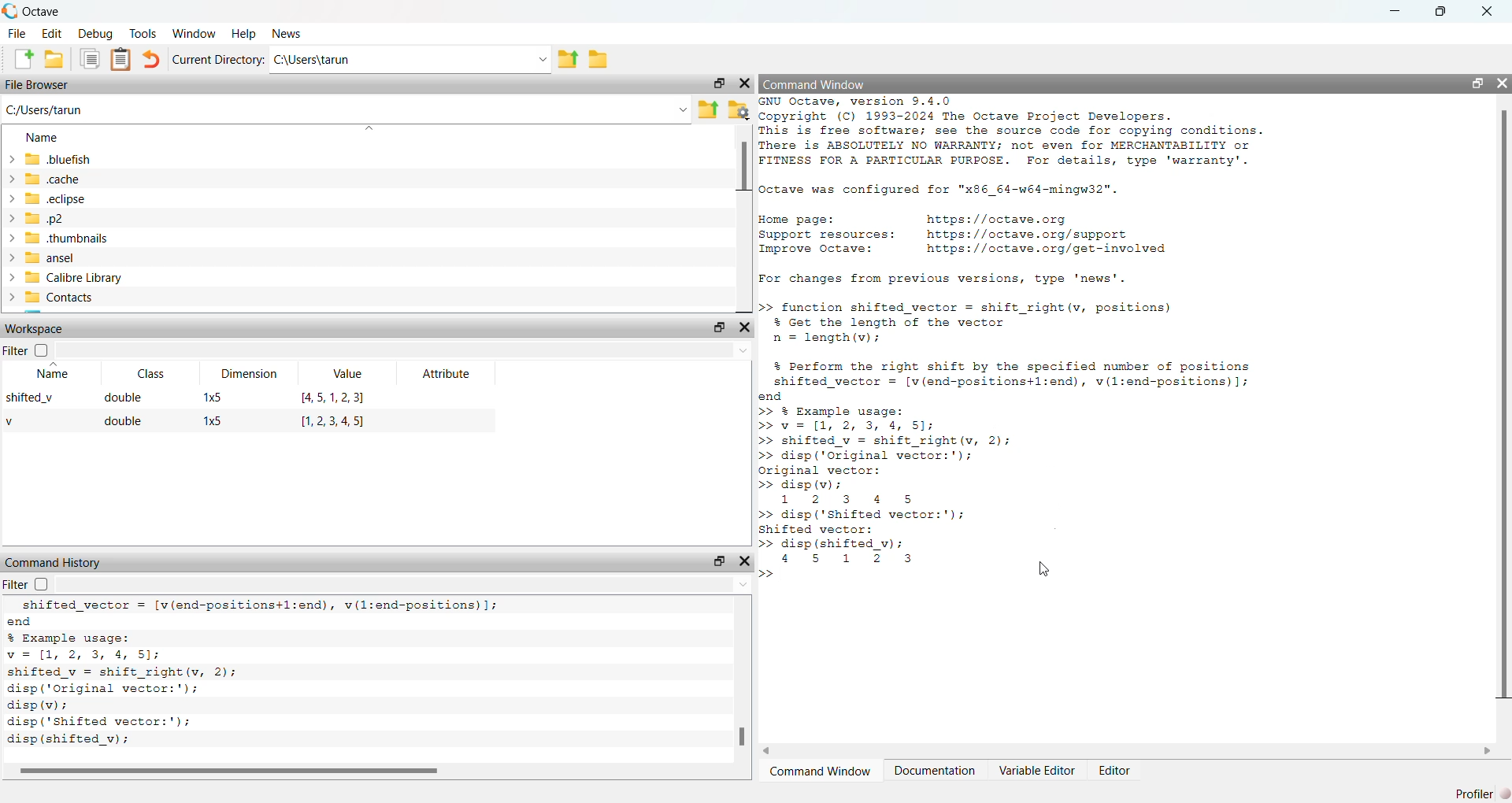 This screenshot has width=1512, height=803. I want to click on edit, so click(54, 34).